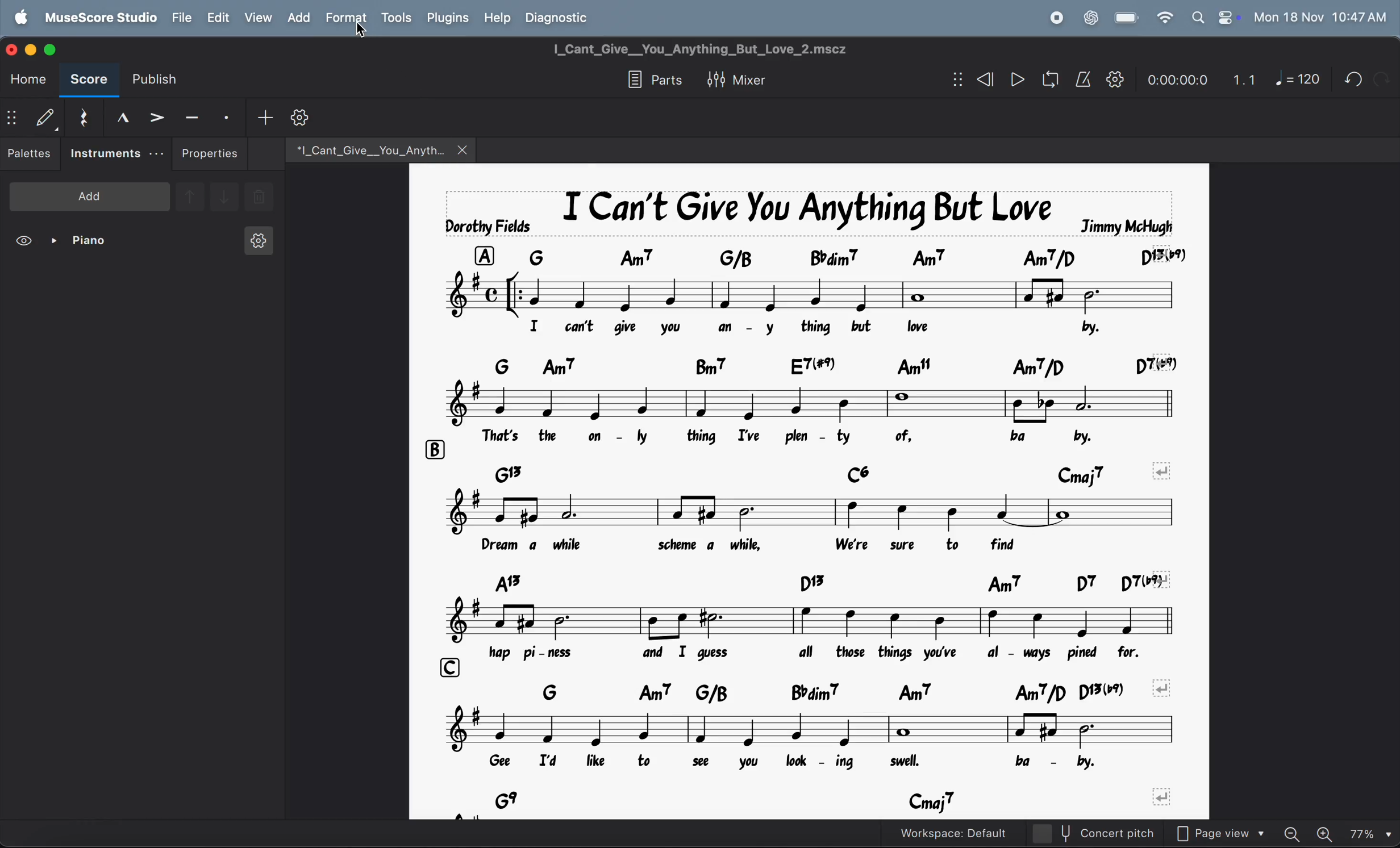 This screenshot has width=1400, height=848. Describe the element at coordinates (217, 18) in the screenshot. I see `edit ` at that location.